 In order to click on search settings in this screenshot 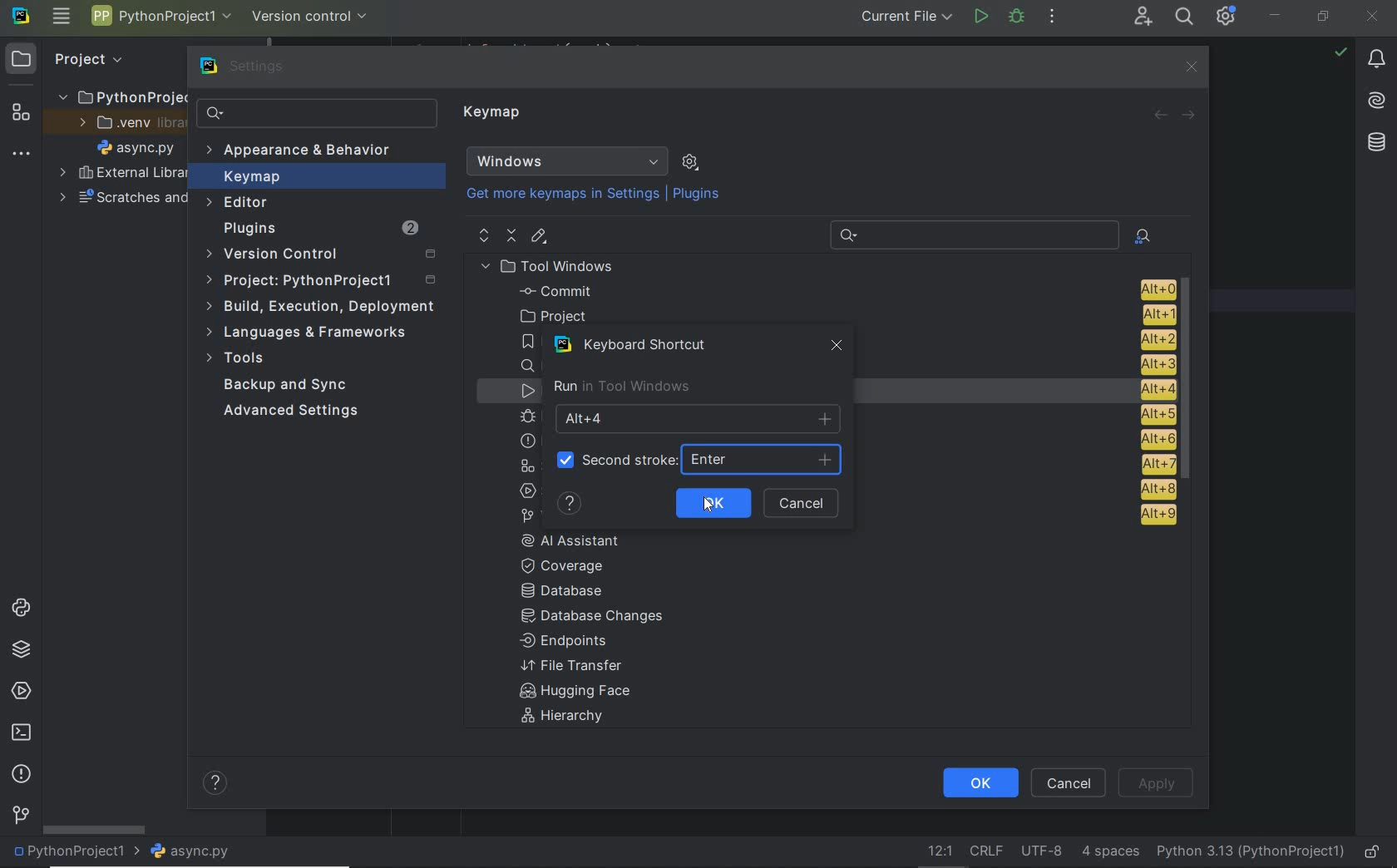, I will do `click(317, 113)`.